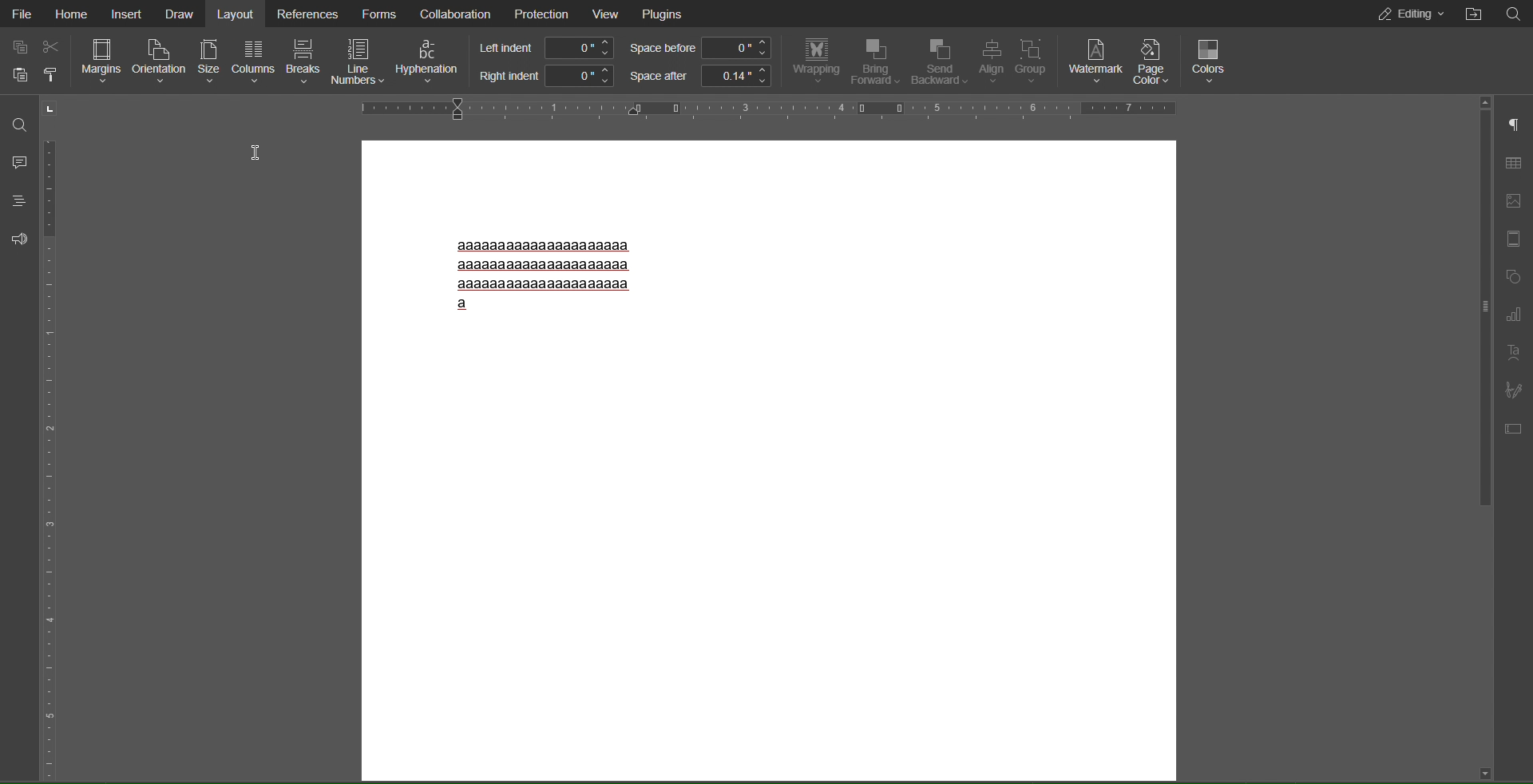 This screenshot has width=1533, height=784. I want to click on Collaboration, so click(454, 14).